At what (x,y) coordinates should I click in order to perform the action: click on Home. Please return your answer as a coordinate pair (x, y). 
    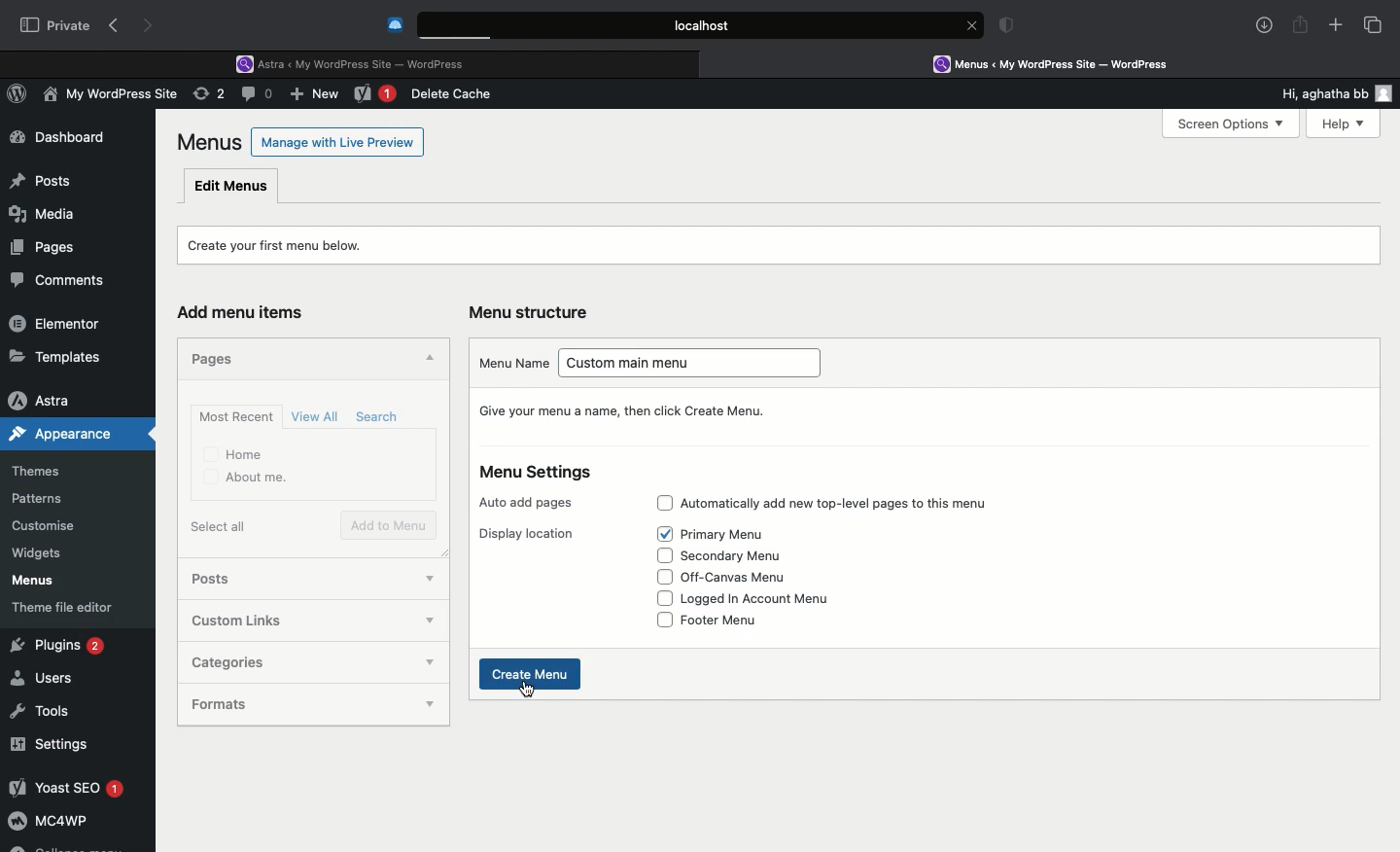
    Looking at the image, I should click on (235, 453).